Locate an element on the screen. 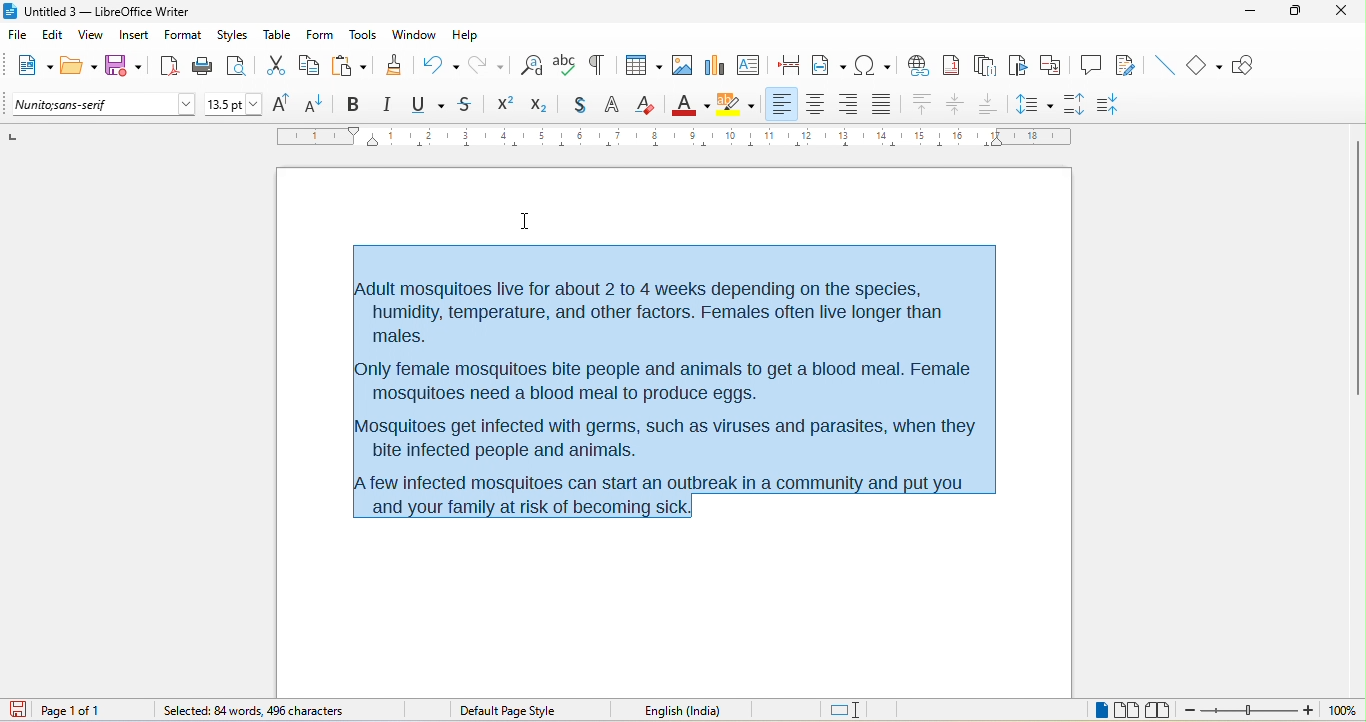  field is located at coordinates (829, 64).